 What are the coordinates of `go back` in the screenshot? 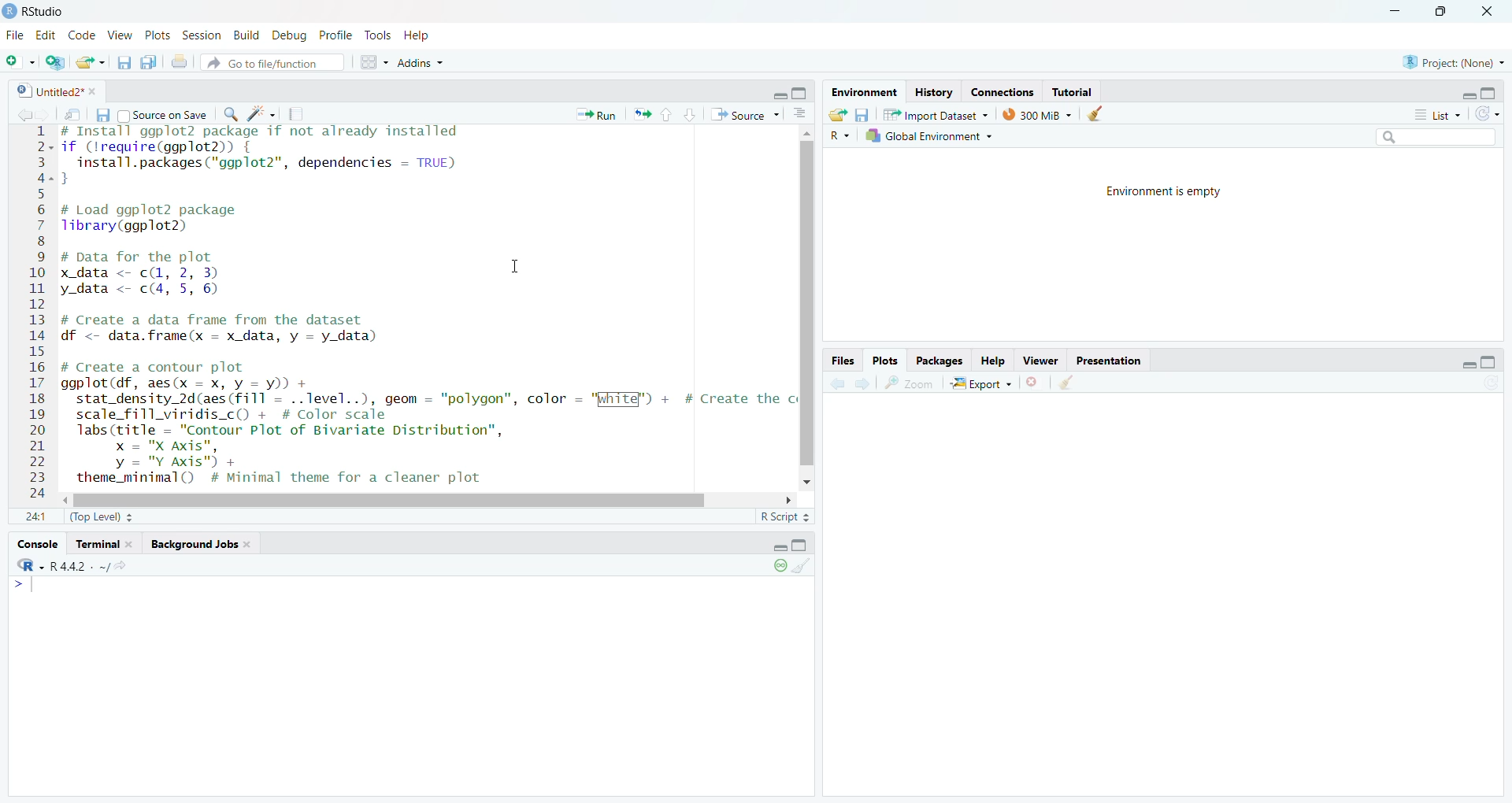 It's located at (832, 383).